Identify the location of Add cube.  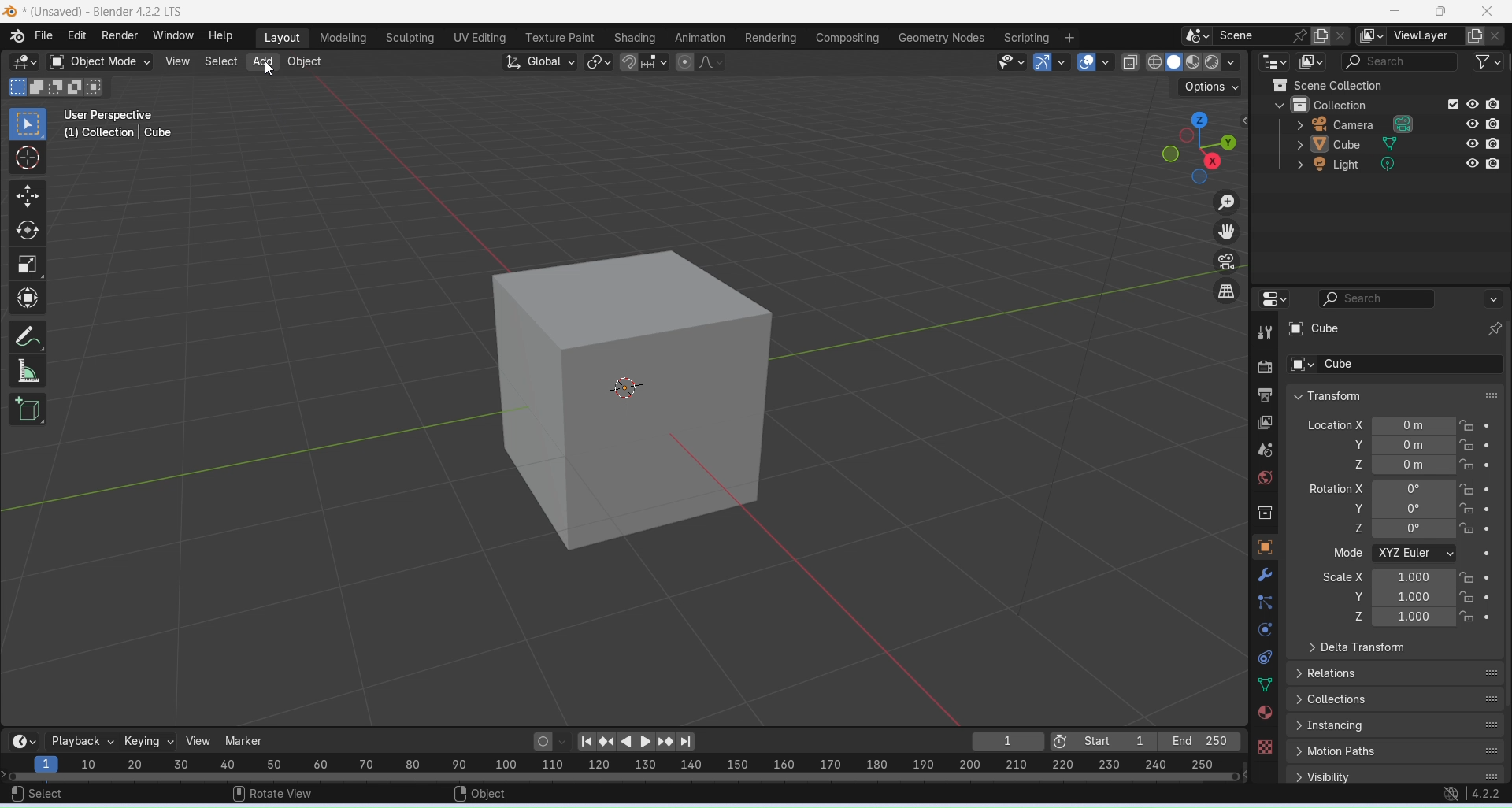
(29, 408).